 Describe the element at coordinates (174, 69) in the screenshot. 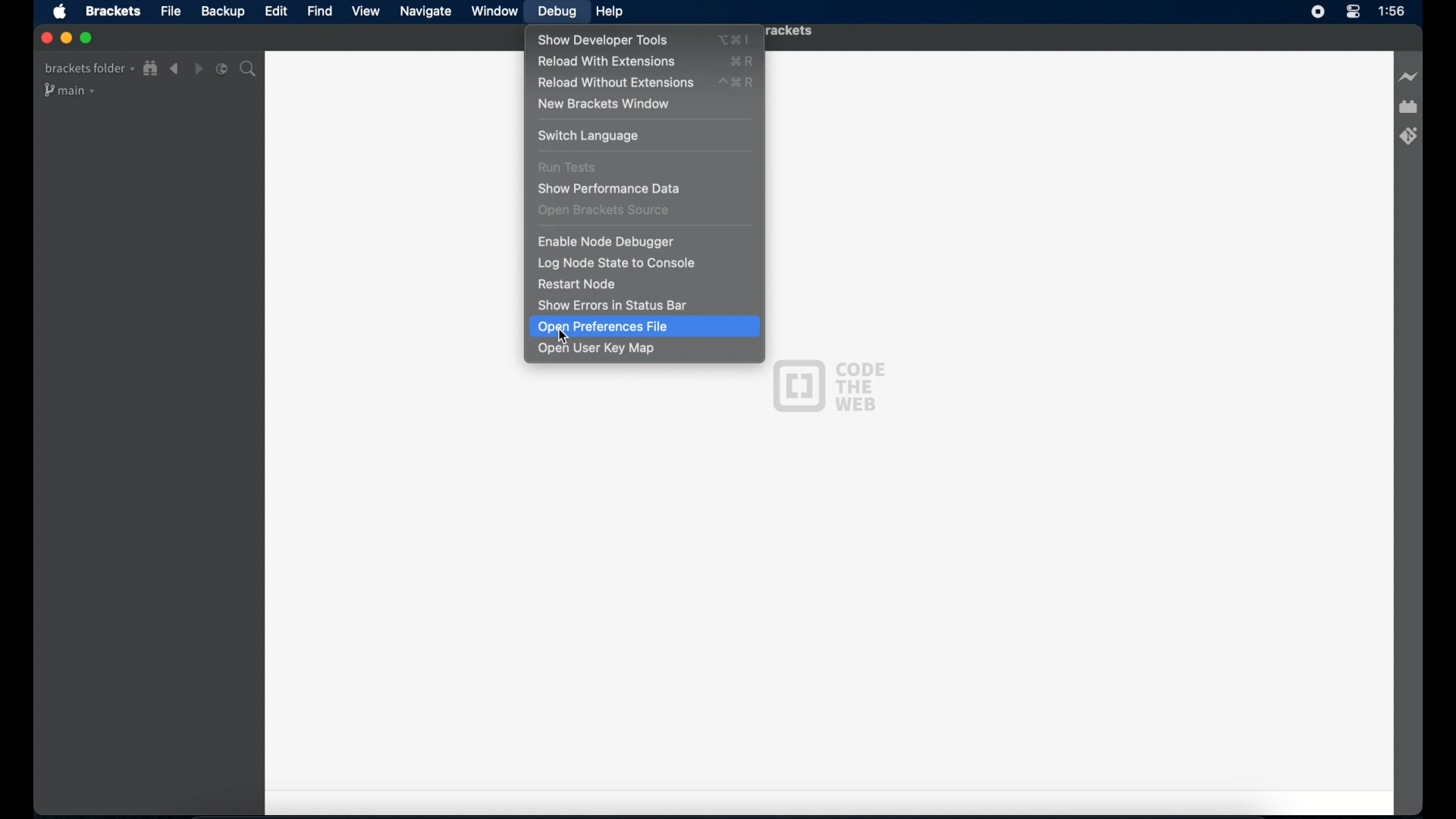

I see `navigate backward` at that location.